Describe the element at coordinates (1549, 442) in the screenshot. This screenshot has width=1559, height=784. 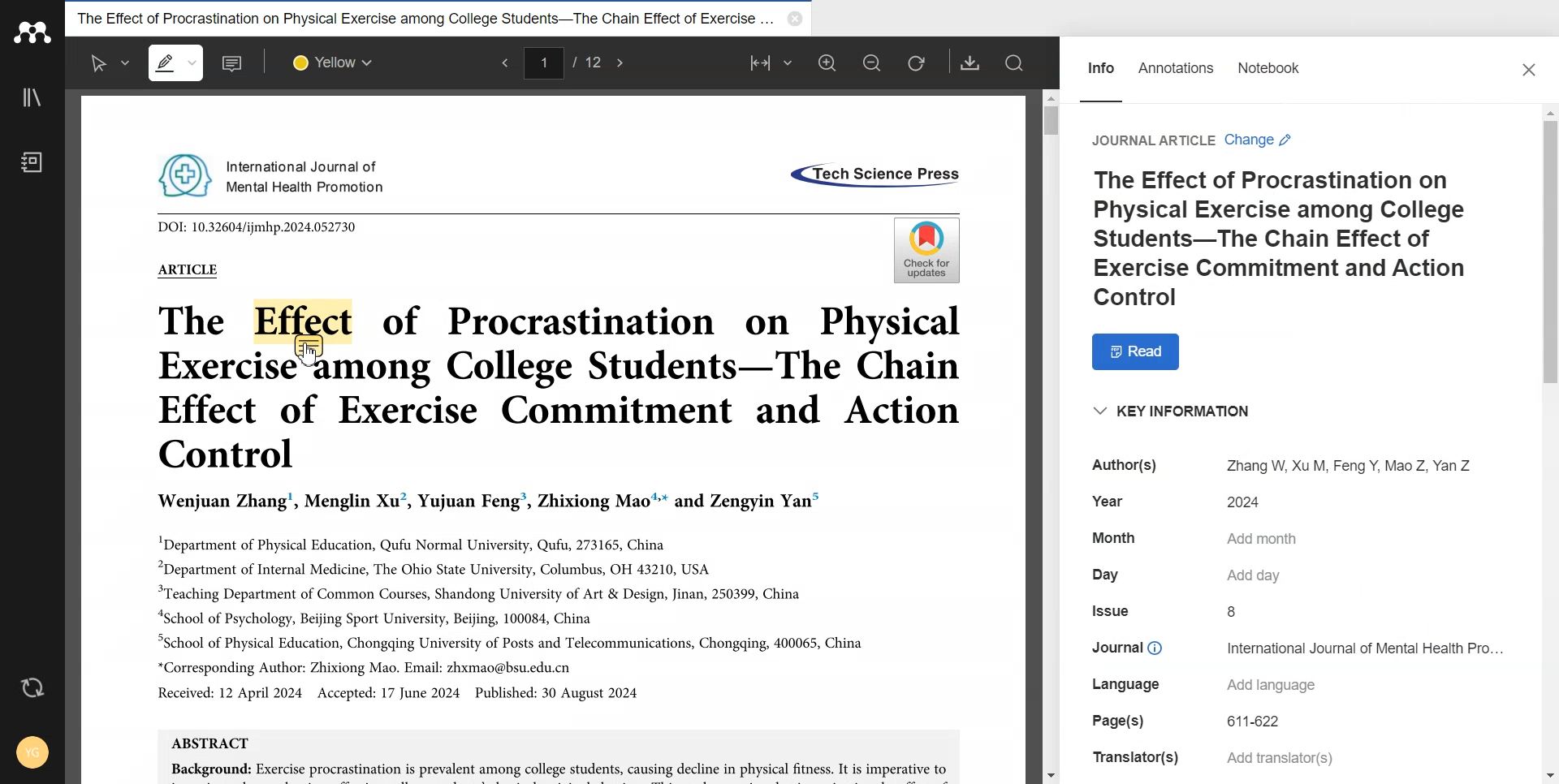
I see `Vertical scroll bar` at that location.